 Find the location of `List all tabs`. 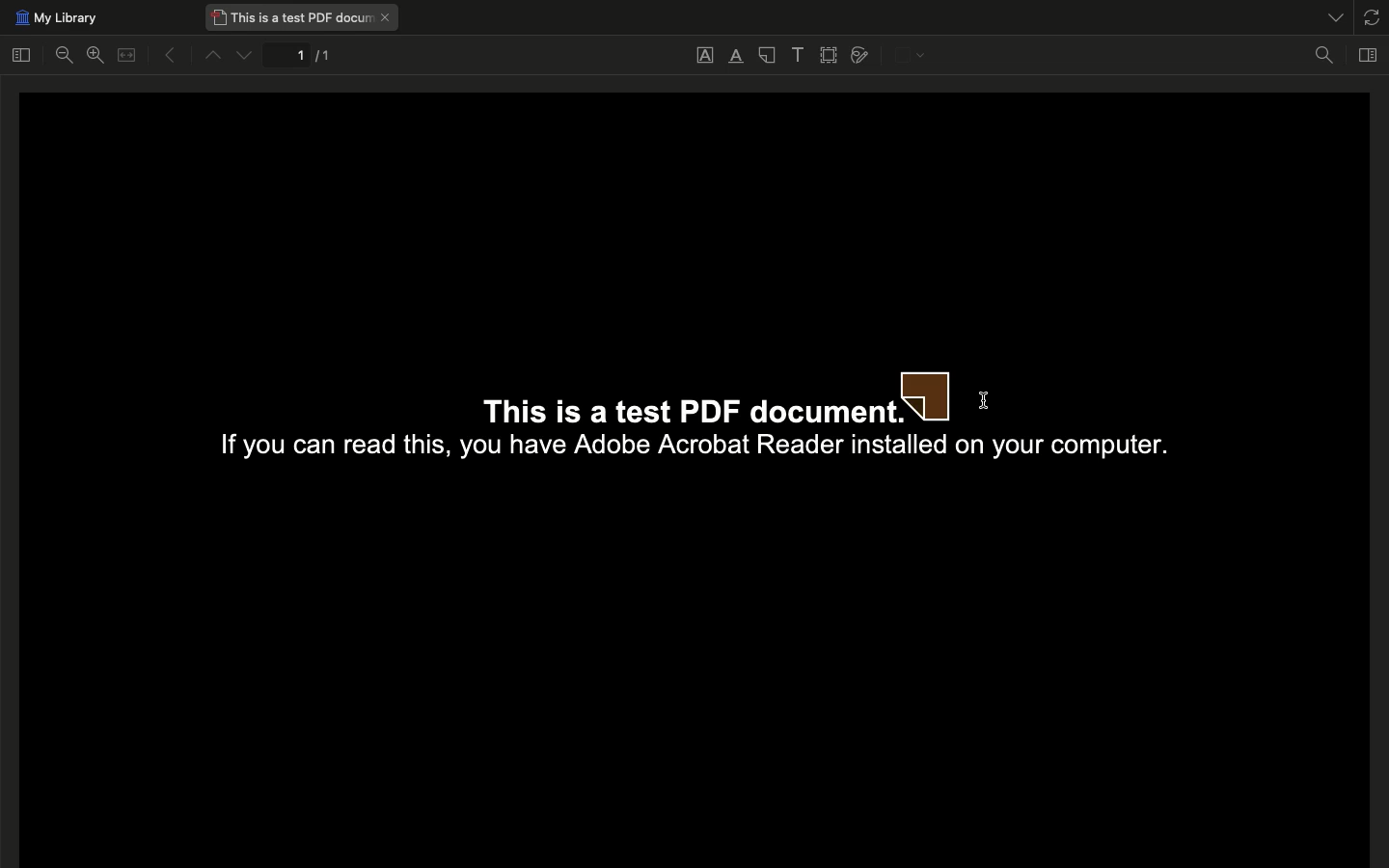

List all tabs is located at coordinates (1330, 14).